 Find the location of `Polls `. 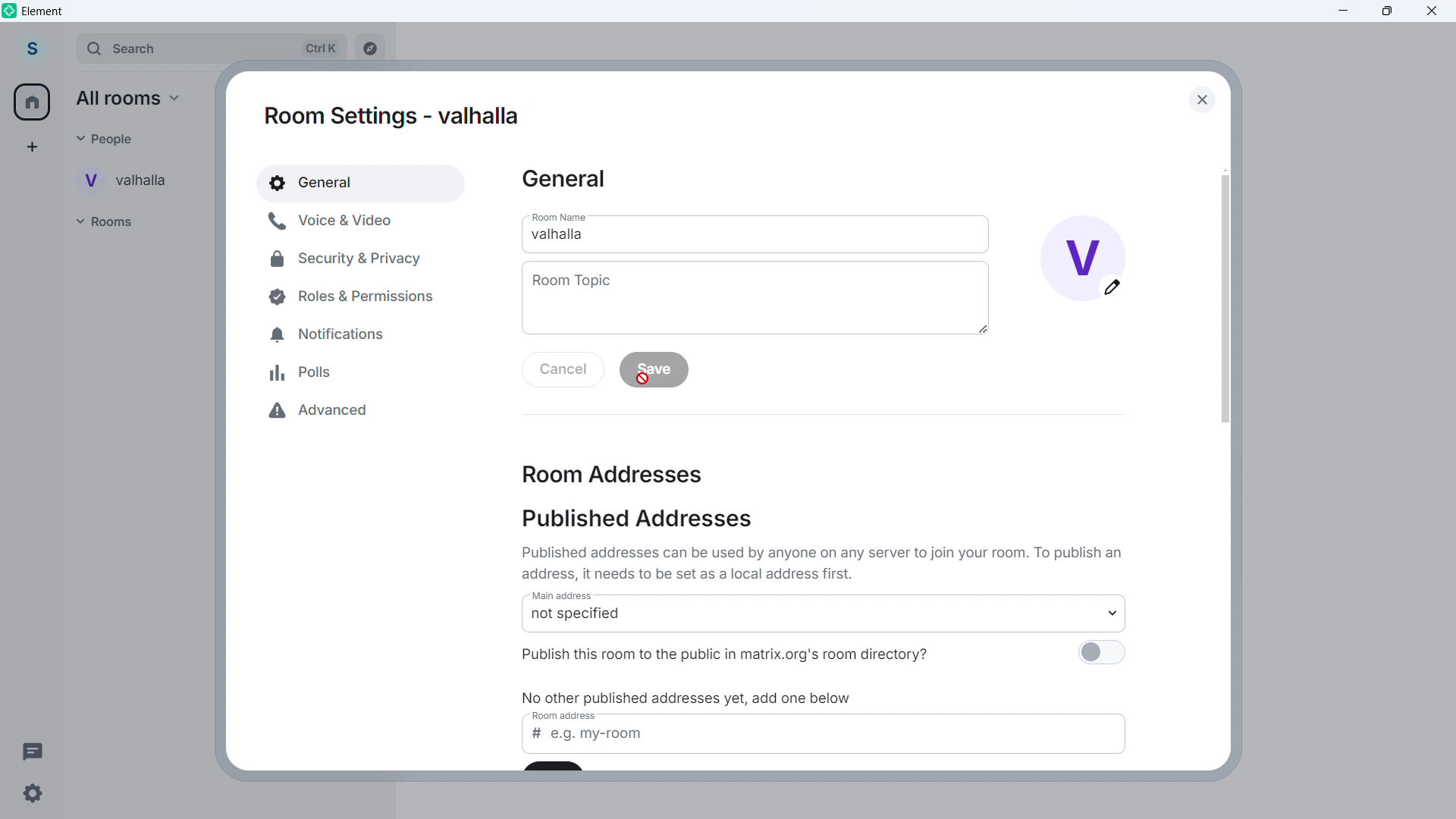

Polls  is located at coordinates (304, 372).